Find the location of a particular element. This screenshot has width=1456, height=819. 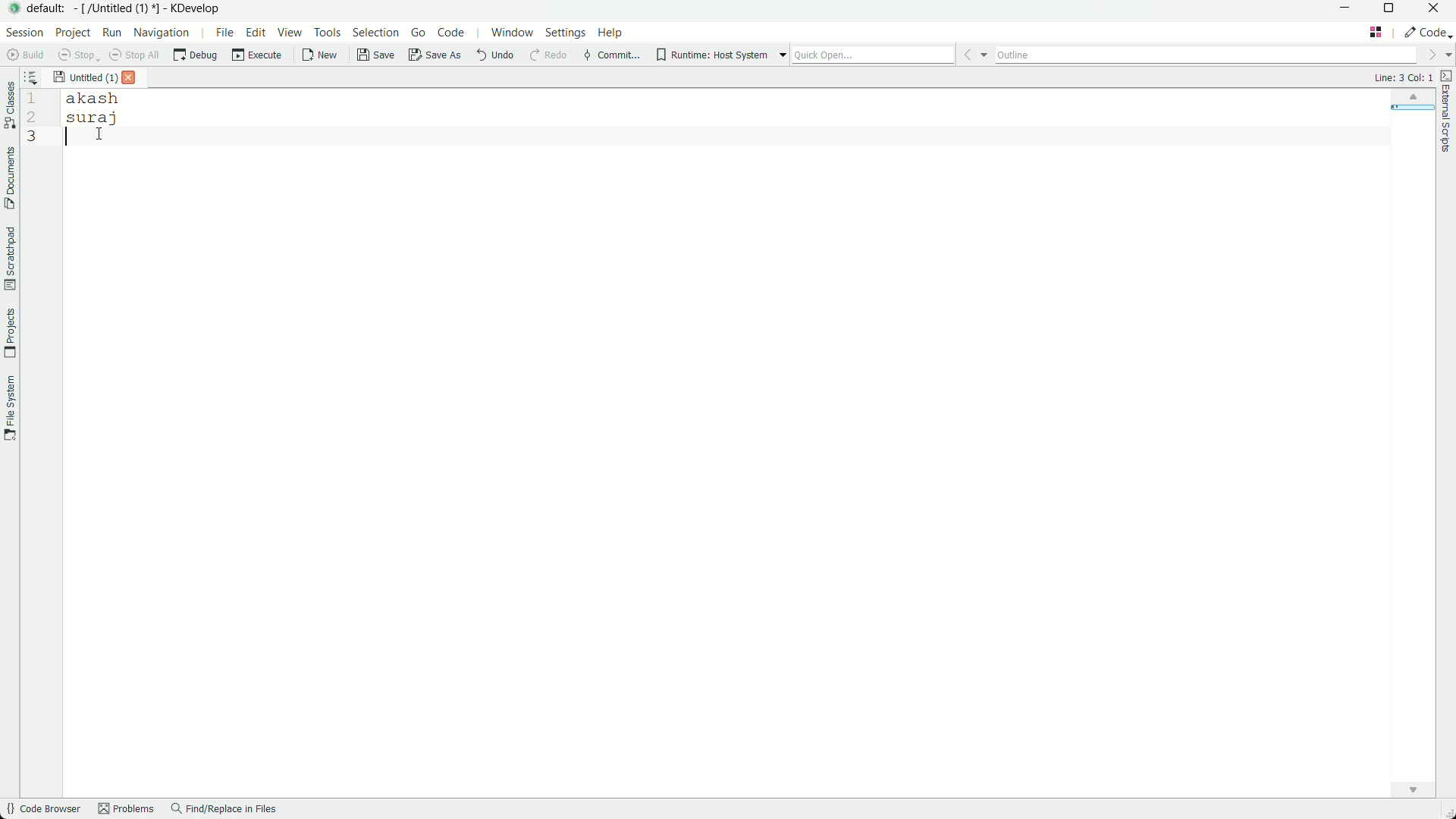

maximize or restore is located at coordinates (1391, 11).